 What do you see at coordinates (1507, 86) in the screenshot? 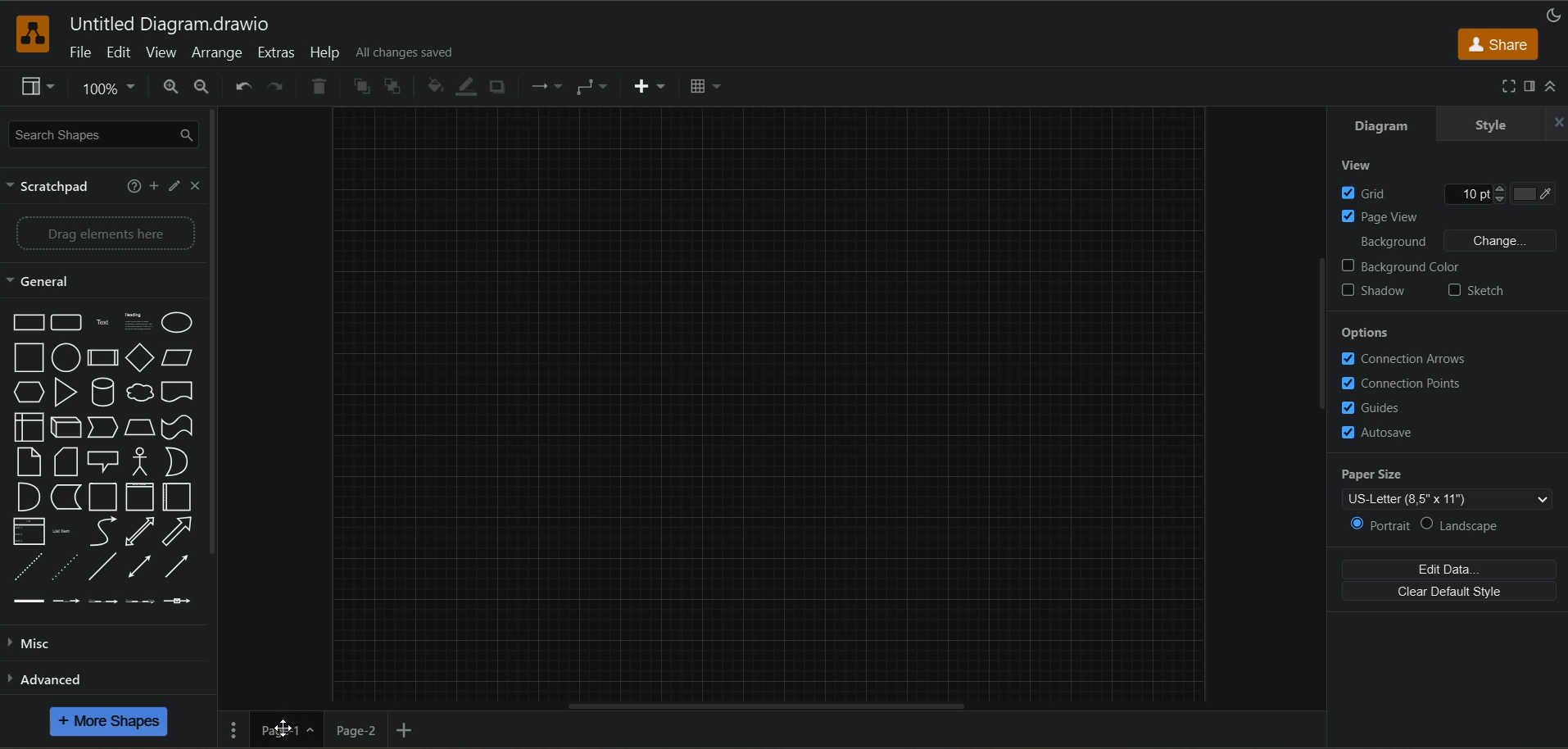
I see `fullscreen` at bounding box center [1507, 86].